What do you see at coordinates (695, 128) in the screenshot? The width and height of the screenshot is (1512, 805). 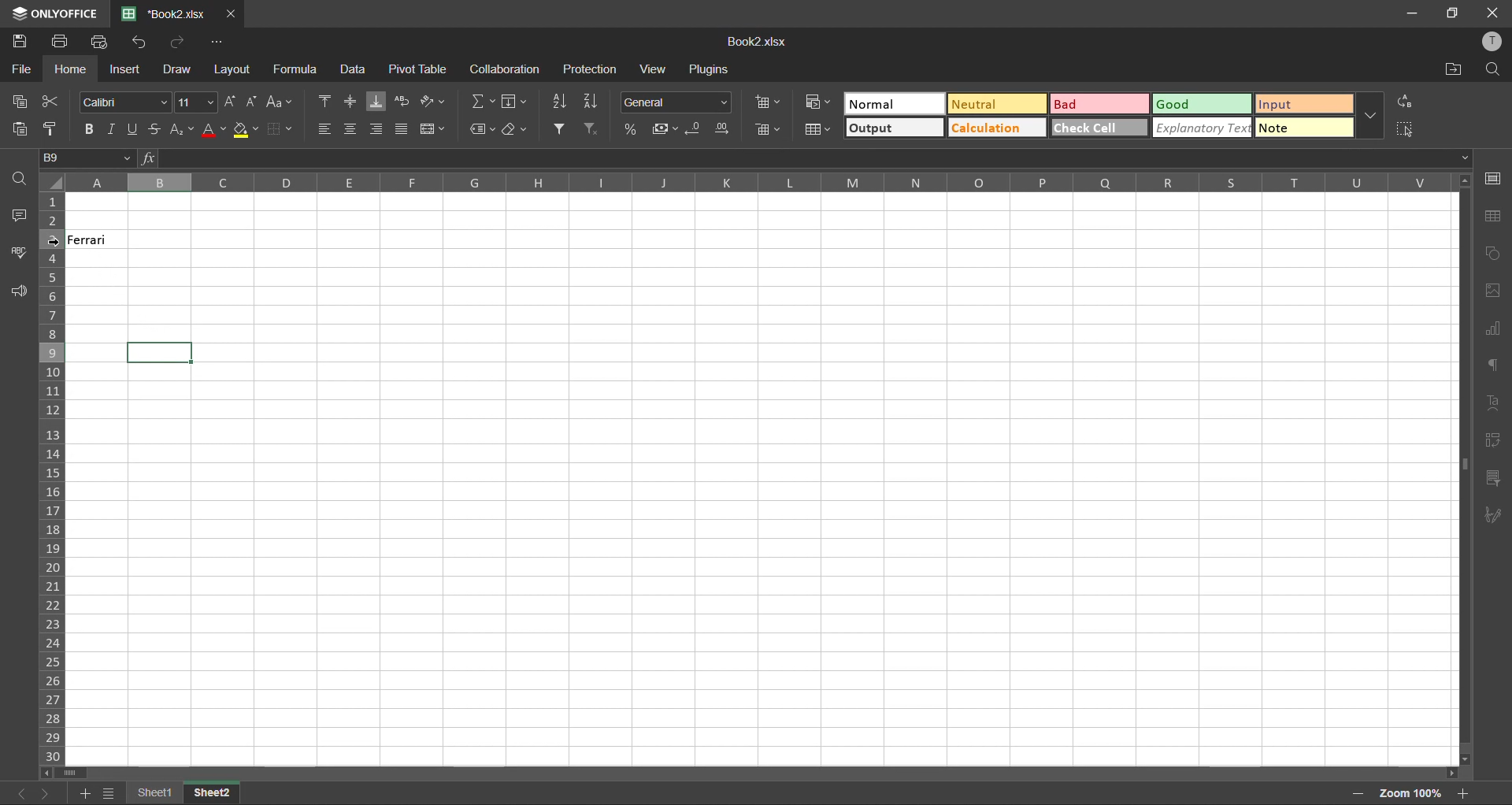 I see `decrease decimal` at bounding box center [695, 128].